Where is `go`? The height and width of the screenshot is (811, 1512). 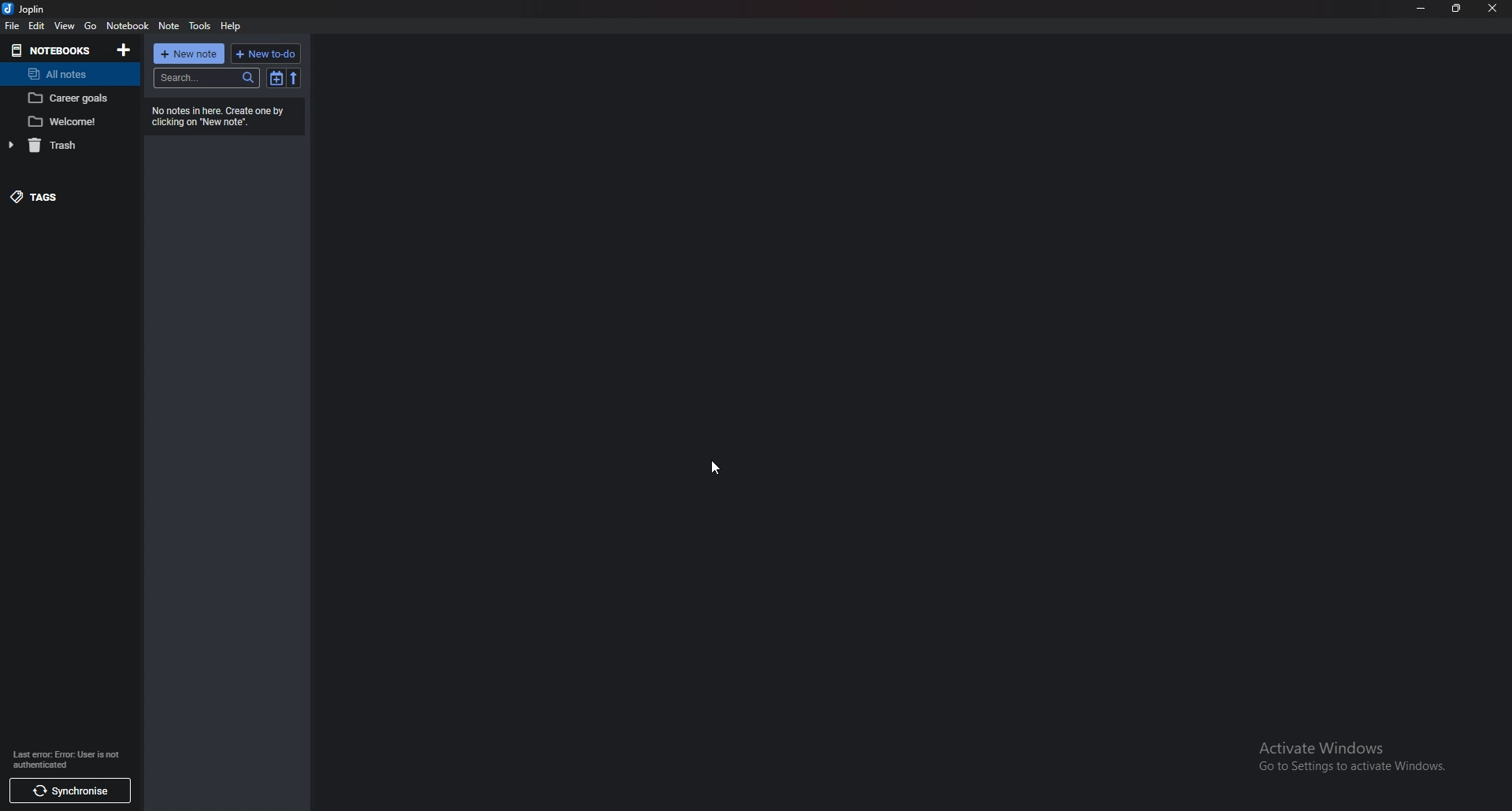 go is located at coordinates (91, 27).